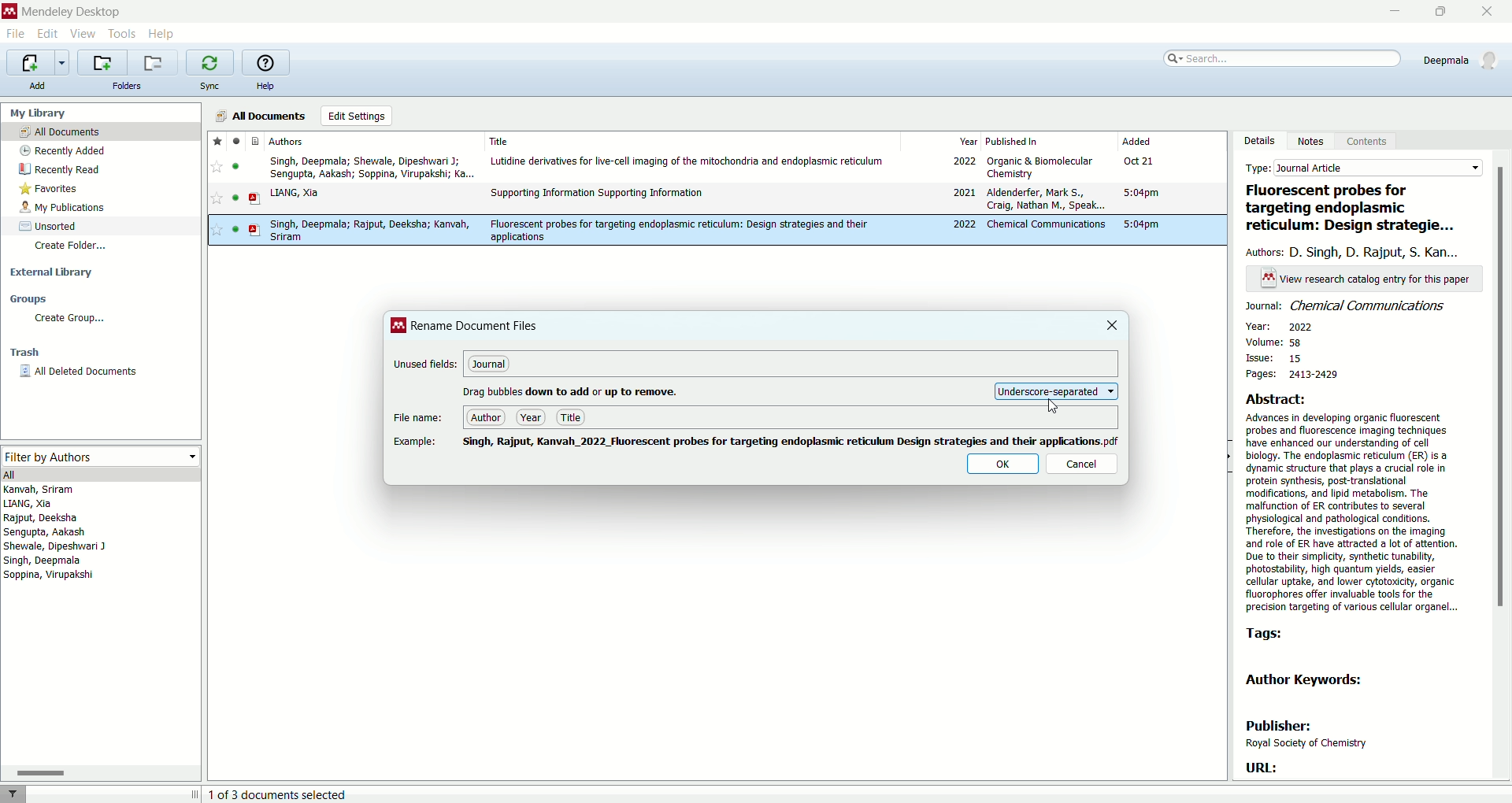 This screenshot has width=1512, height=803. What do you see at coordinates (49, 34) in the screenshot?
I see `edit` at bounding box center [49, 34].